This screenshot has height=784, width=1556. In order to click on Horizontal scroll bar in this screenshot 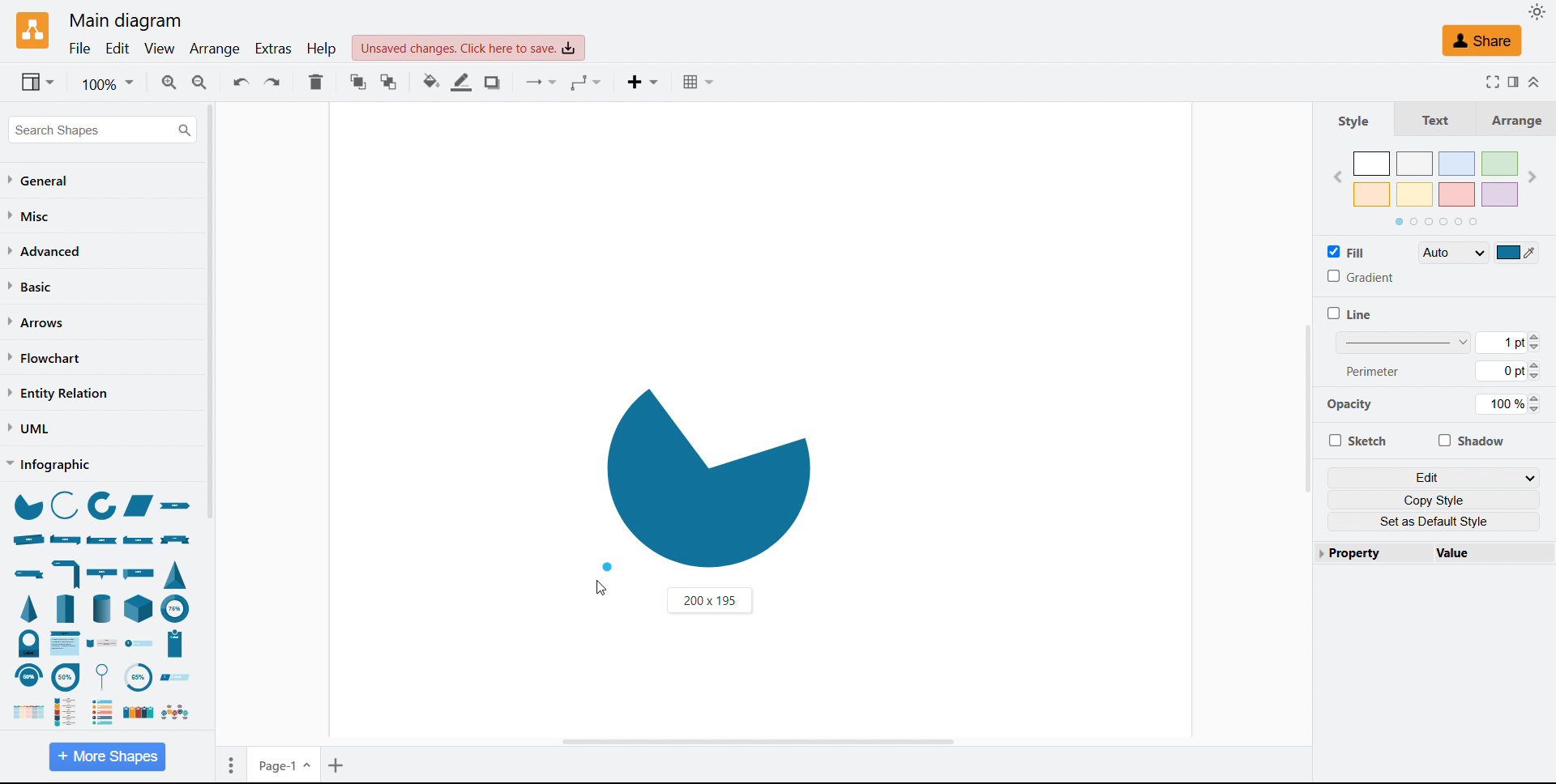, I will do `click(755, 740)`.